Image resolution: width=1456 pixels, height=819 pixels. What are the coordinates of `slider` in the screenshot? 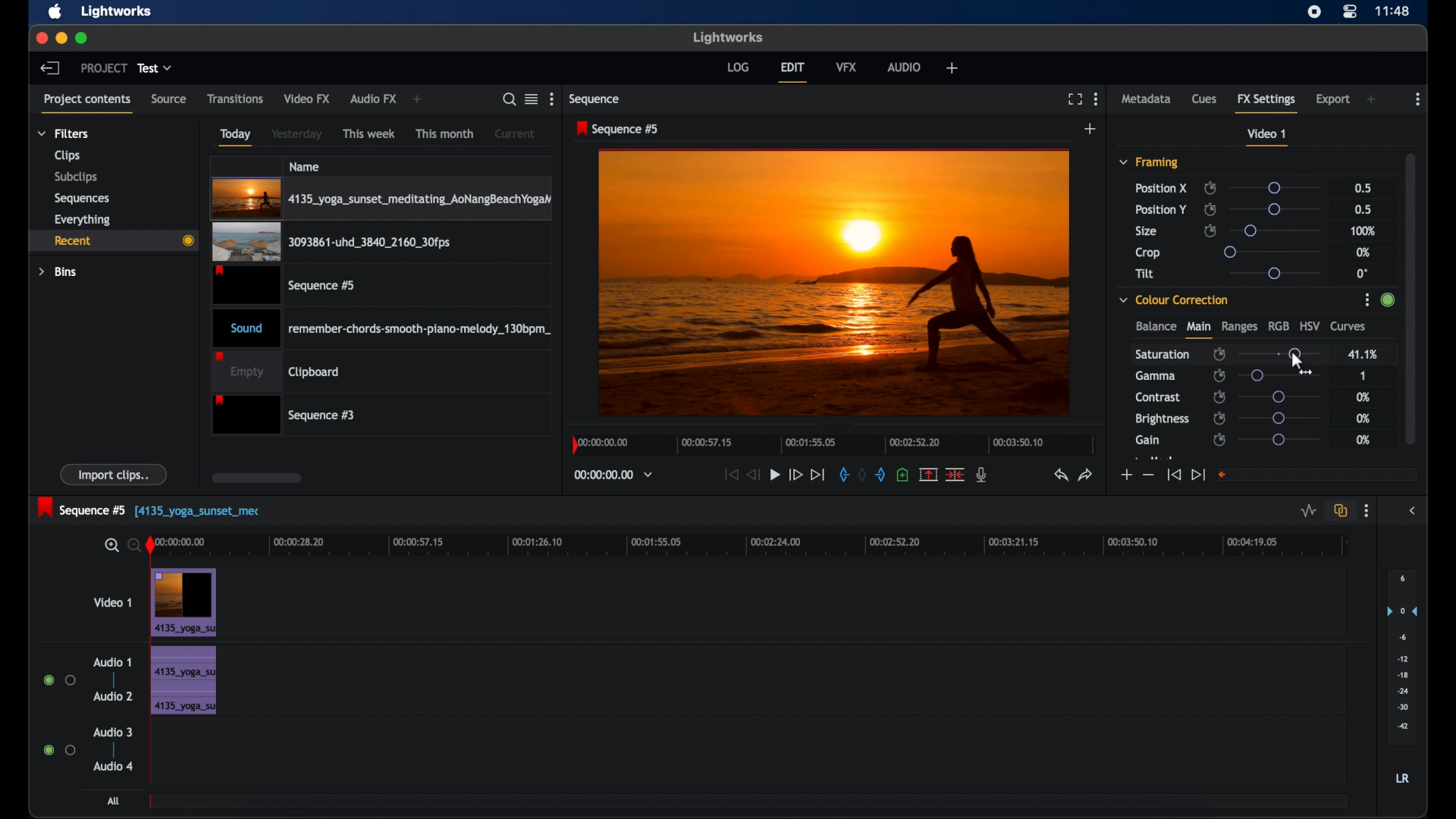 It's located at (1274, 230).